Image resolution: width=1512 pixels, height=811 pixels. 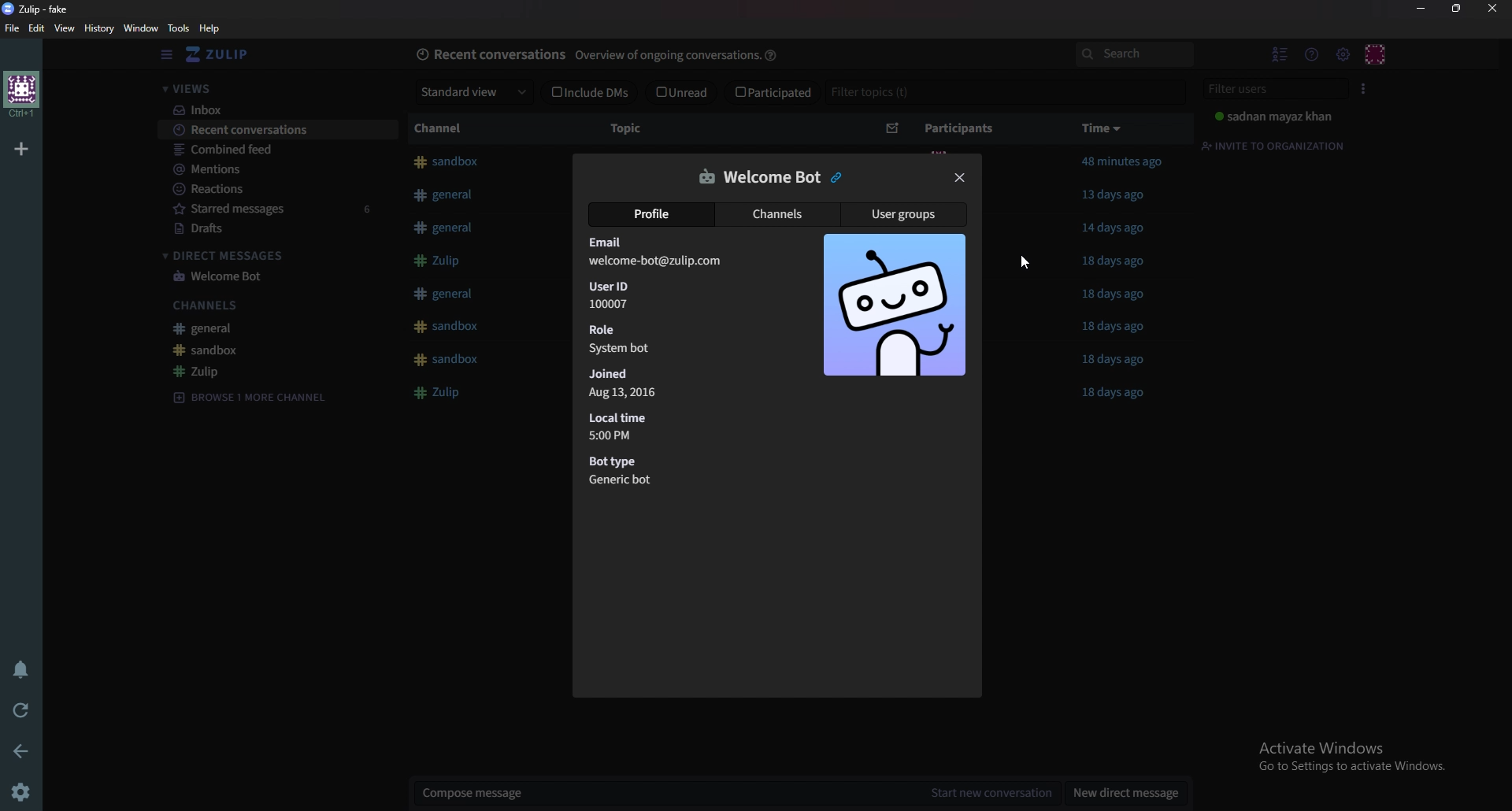 I want to click on Starred message, so click(x=277, y=210).